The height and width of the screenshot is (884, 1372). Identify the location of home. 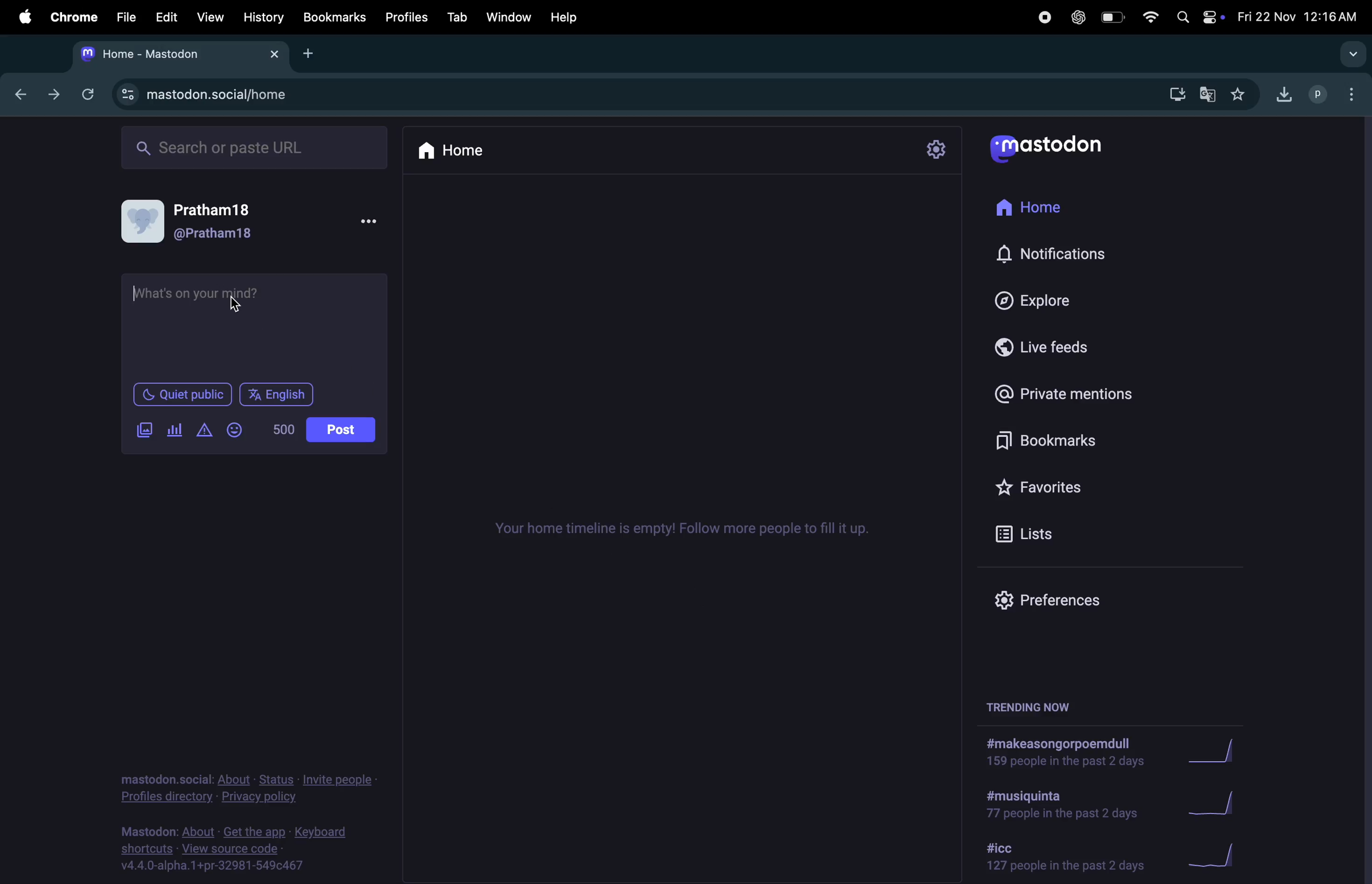
(449, 150).